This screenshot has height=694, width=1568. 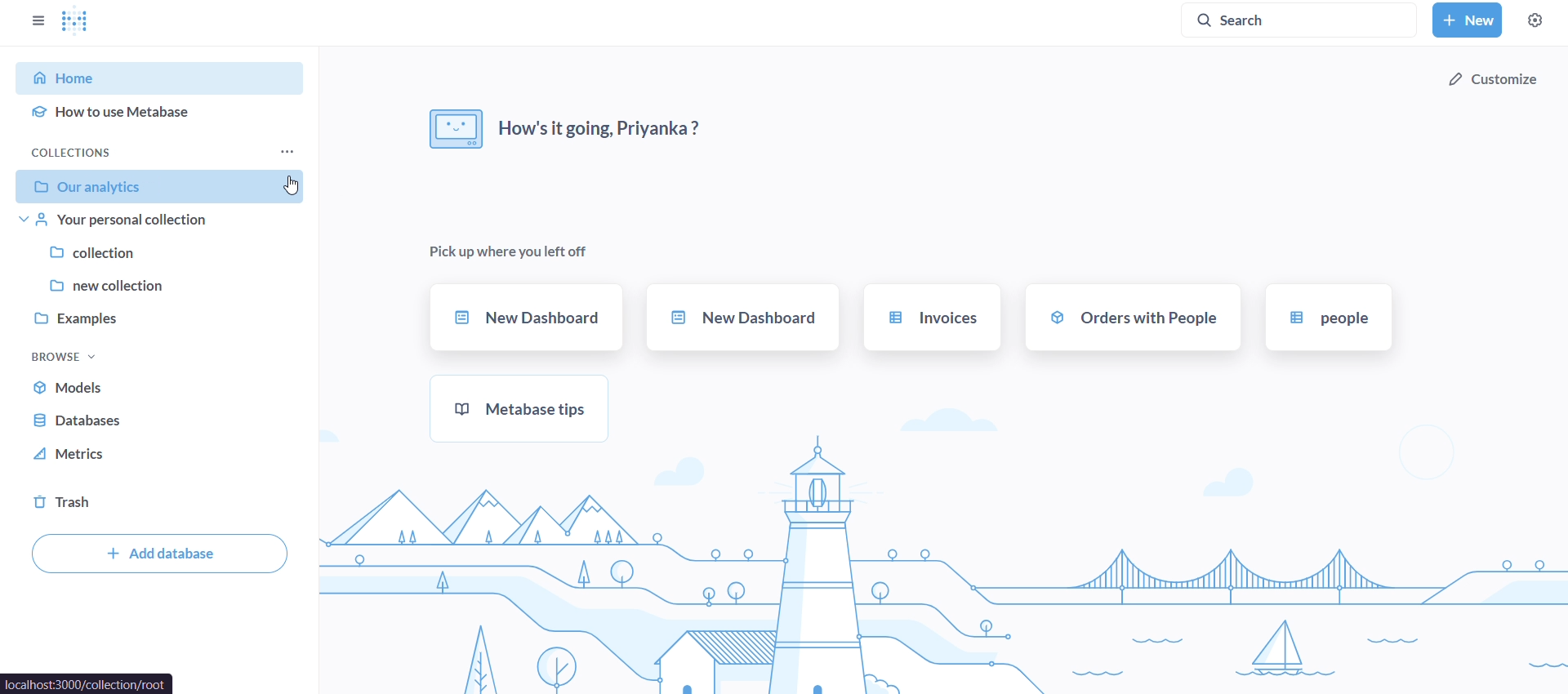 What do you see at coordinates (83, 456) in the screenshot?
I see `metrics` at bounding box center [83, 456].